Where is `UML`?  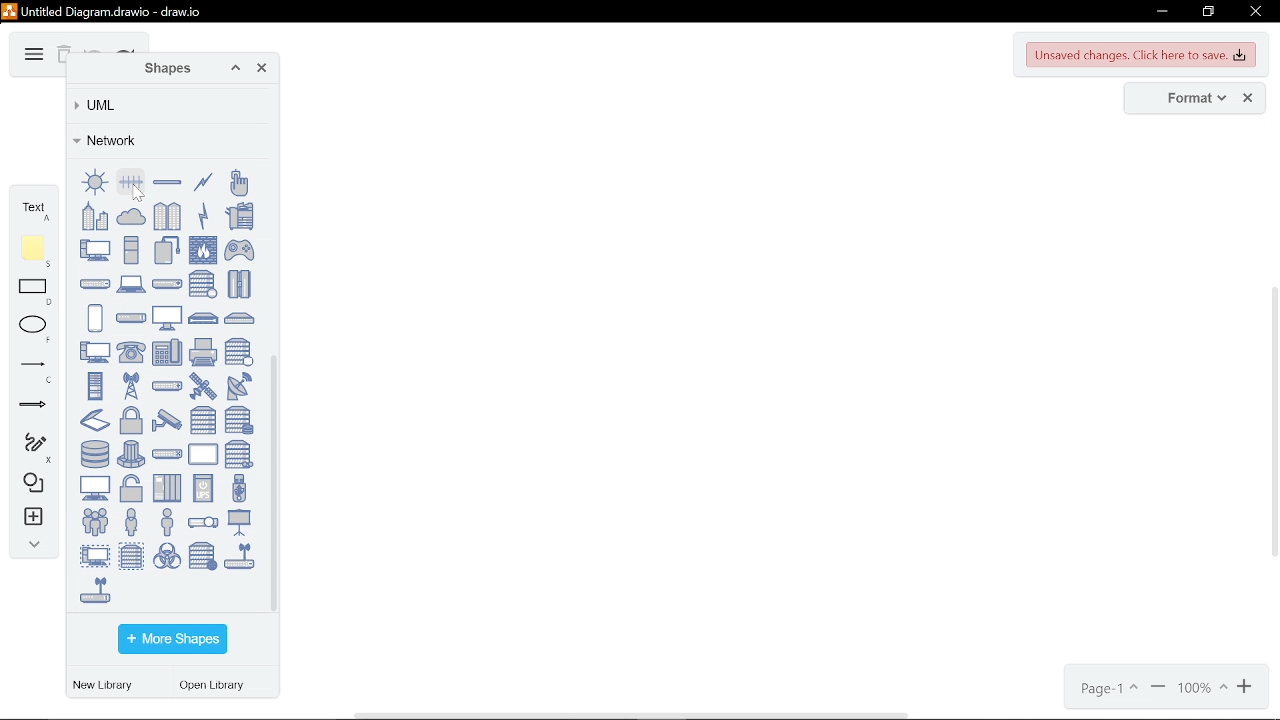
UML is located at coordinates (164, 105).